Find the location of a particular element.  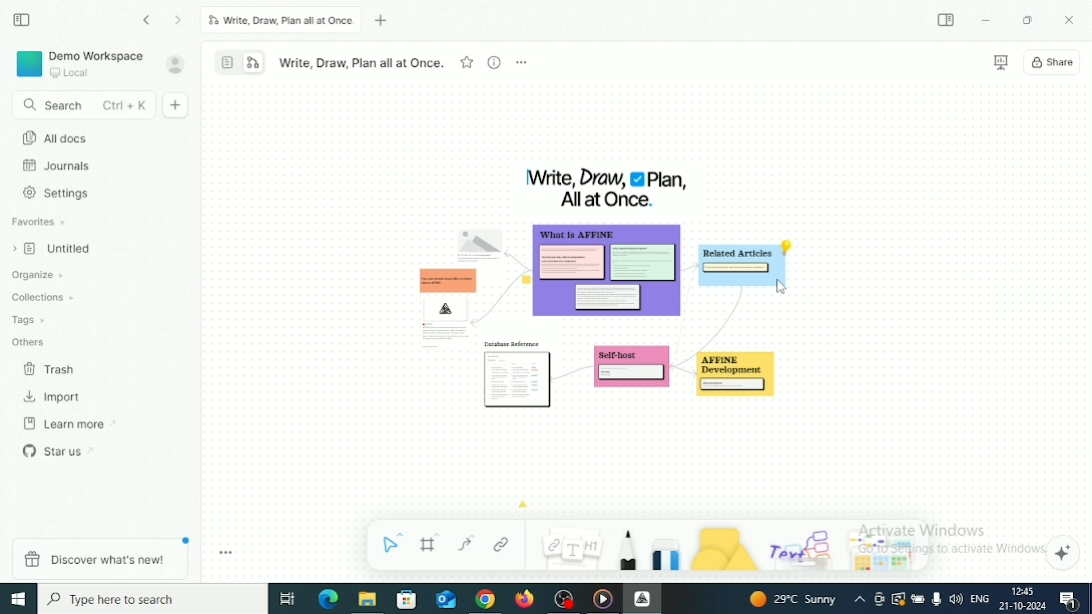

Favourite is located at coordinates (467, 61).